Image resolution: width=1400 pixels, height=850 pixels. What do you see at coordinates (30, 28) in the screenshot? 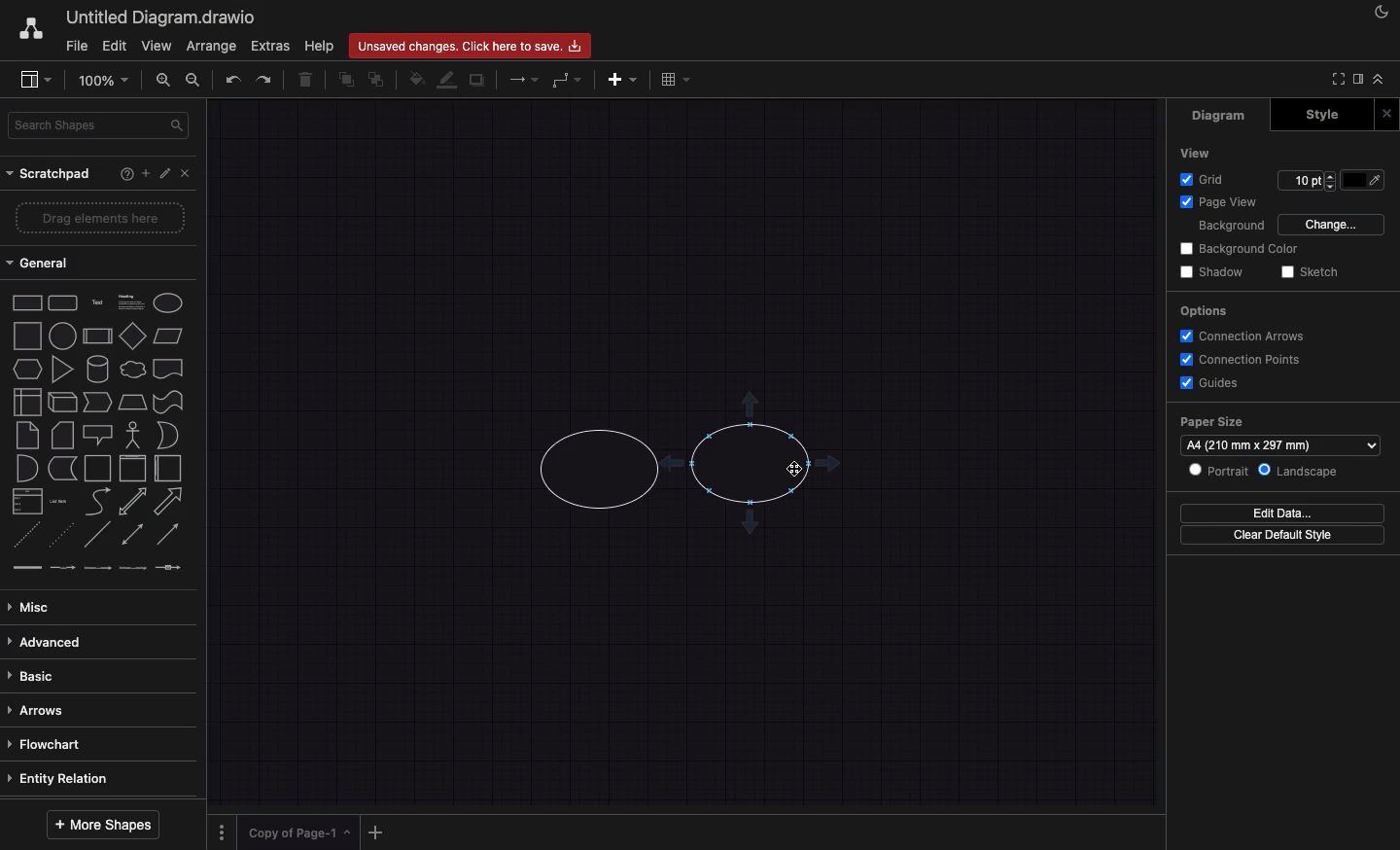
I see `draw.io logo` at bounding box center [30, 28].